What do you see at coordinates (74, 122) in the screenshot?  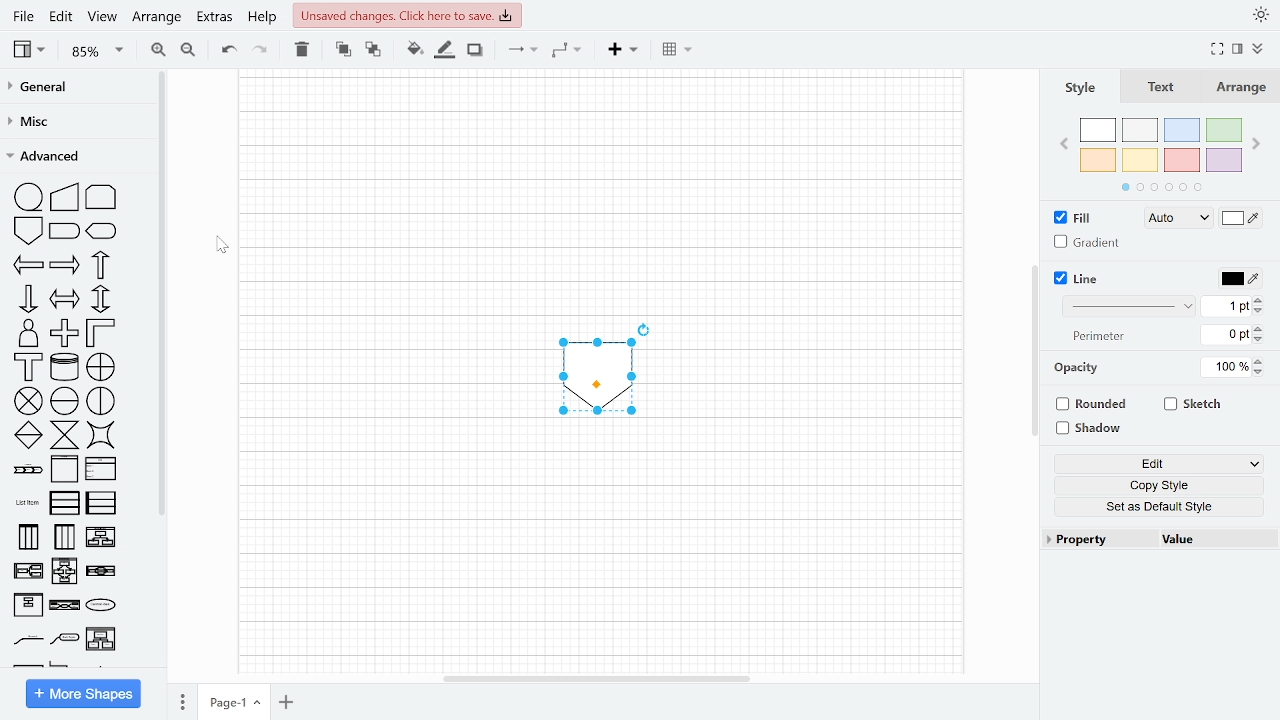 I see `Misc` at bounding box center [74, 122].